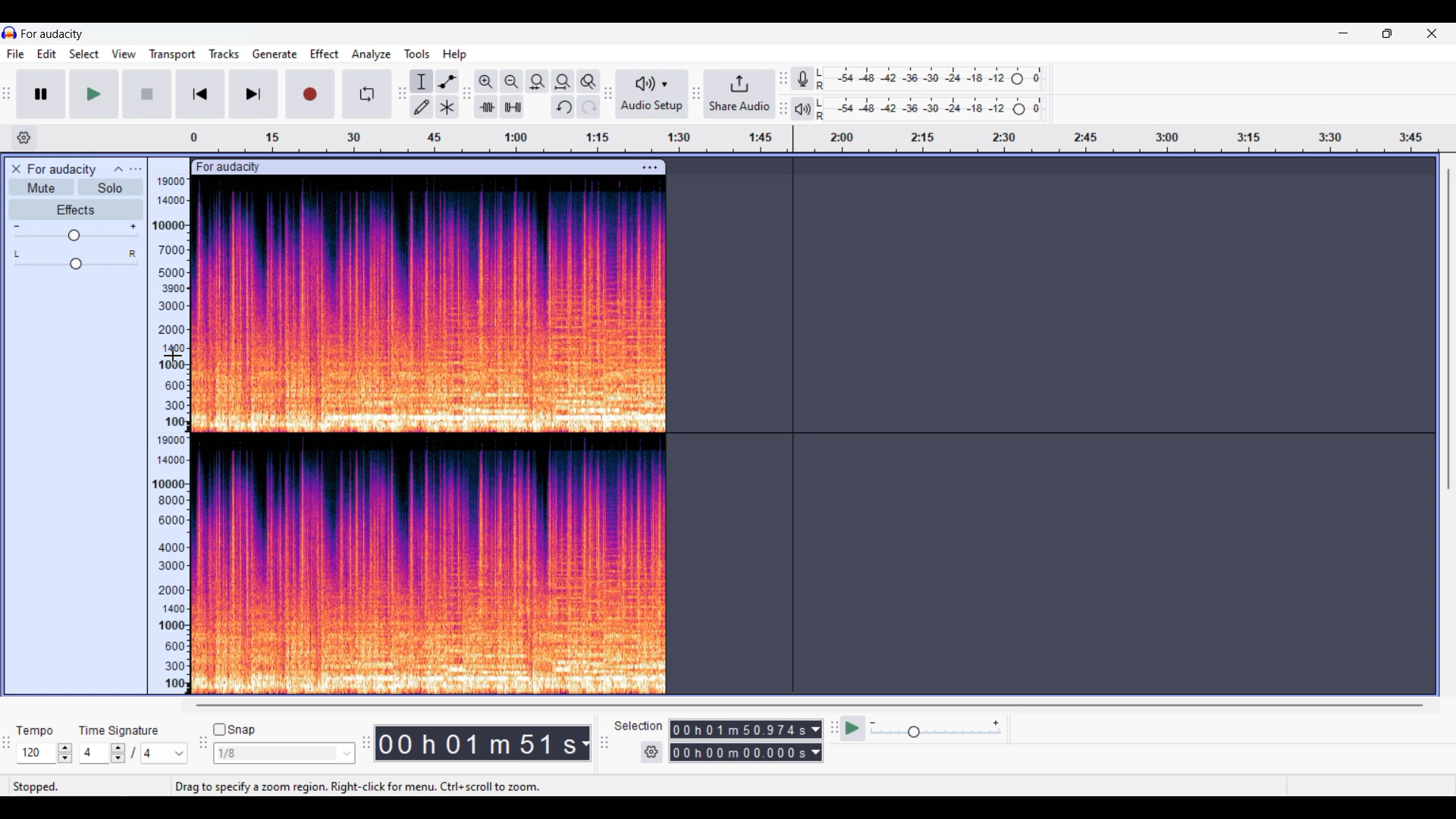 The image size is (1456, 819). I want to click on Redo, so click(591, 106).